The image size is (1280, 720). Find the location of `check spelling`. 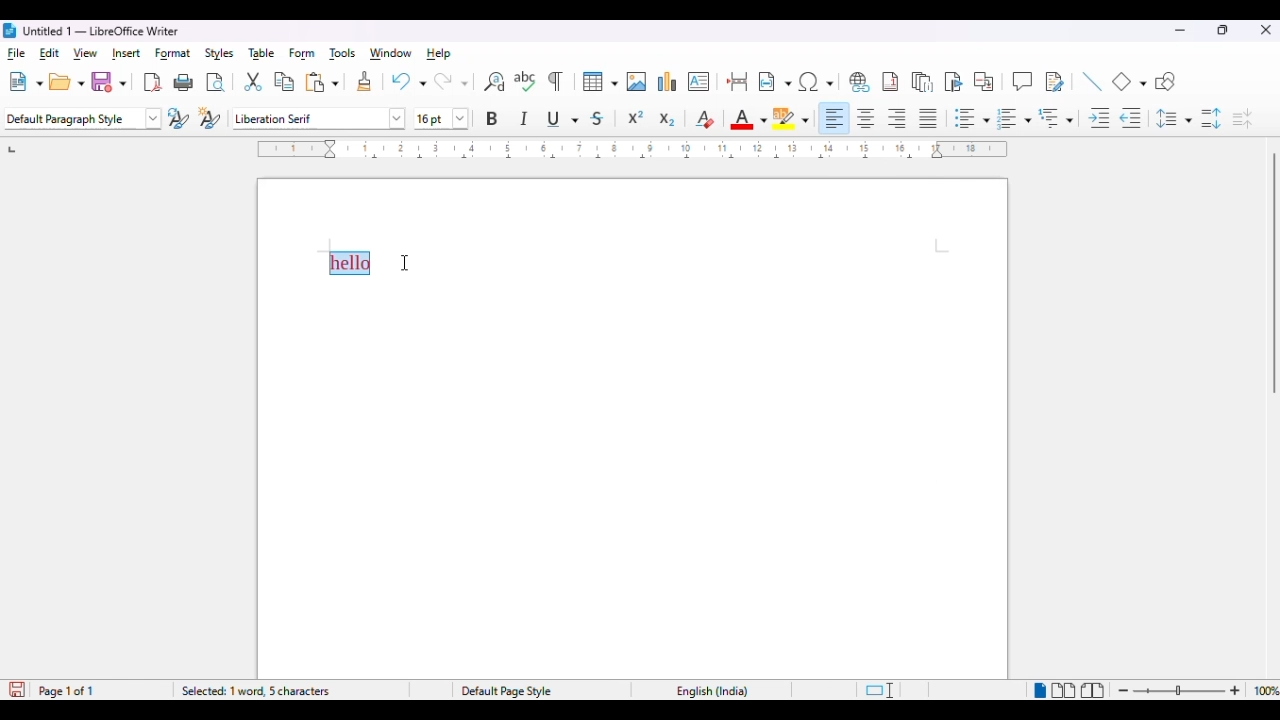

check spelling is located at coordinates (526, 81).